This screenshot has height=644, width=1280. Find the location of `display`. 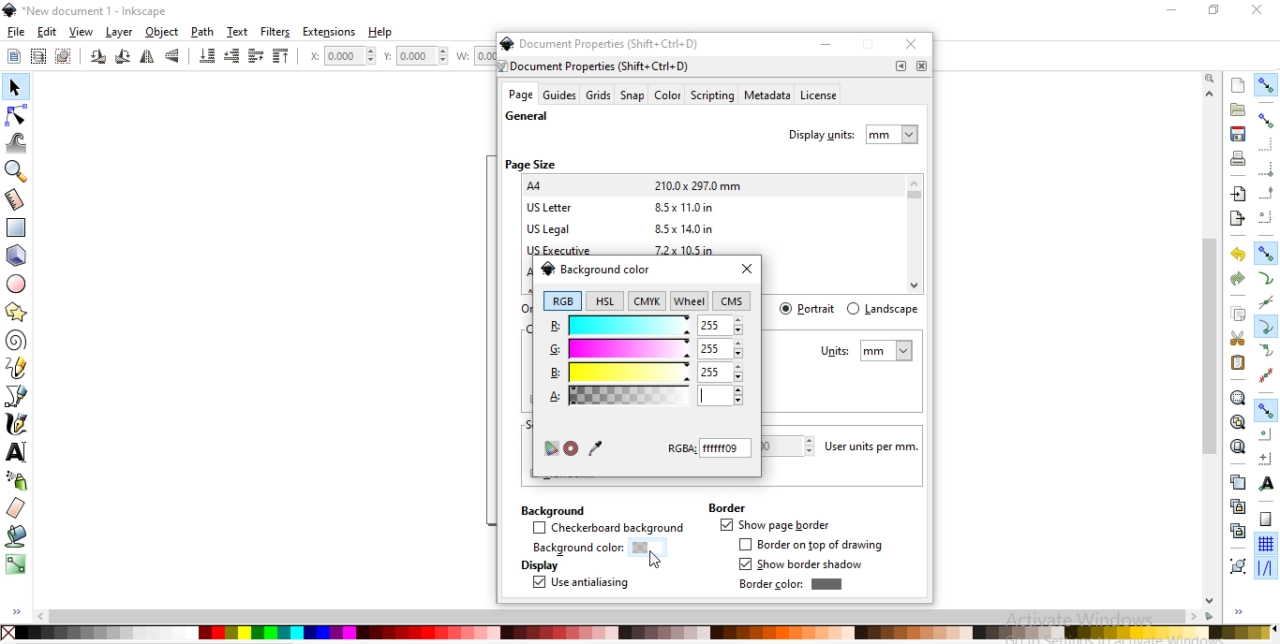

display is located at coordinates (538, 566).